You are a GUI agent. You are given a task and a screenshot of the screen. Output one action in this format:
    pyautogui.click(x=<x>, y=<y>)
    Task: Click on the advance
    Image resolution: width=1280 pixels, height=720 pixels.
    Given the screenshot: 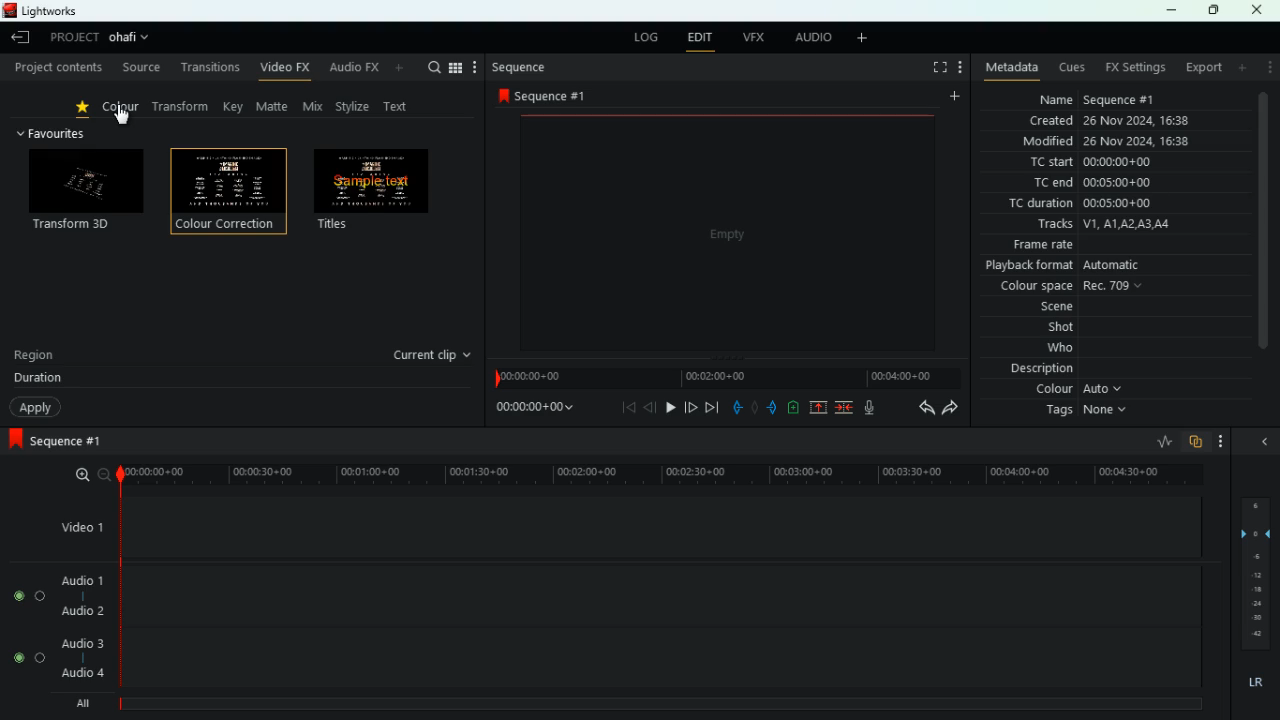 What is the action you would take?
    pyautogui.click(x=688, y=406)
    